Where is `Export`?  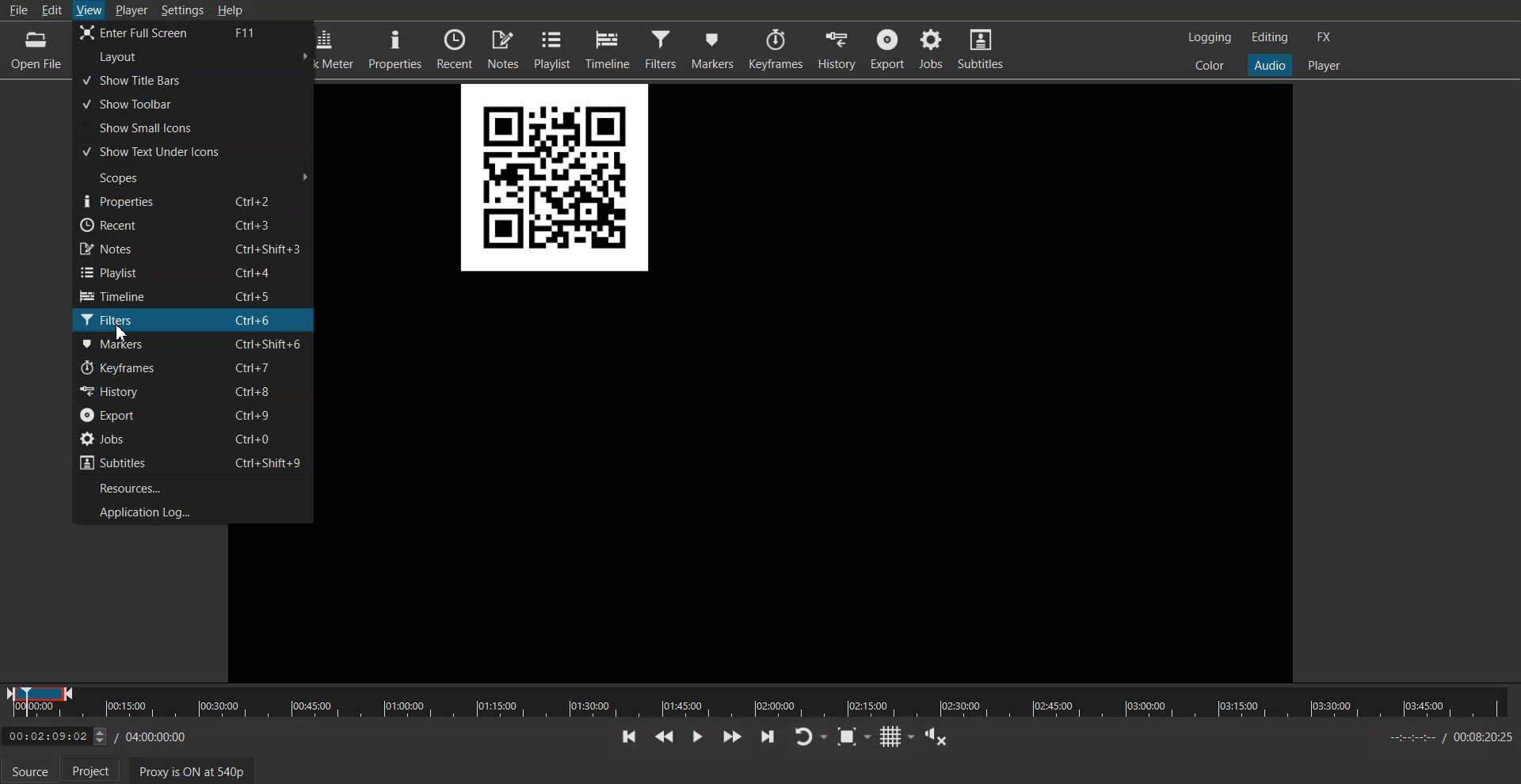 Export is located at coordinates (886, 50).